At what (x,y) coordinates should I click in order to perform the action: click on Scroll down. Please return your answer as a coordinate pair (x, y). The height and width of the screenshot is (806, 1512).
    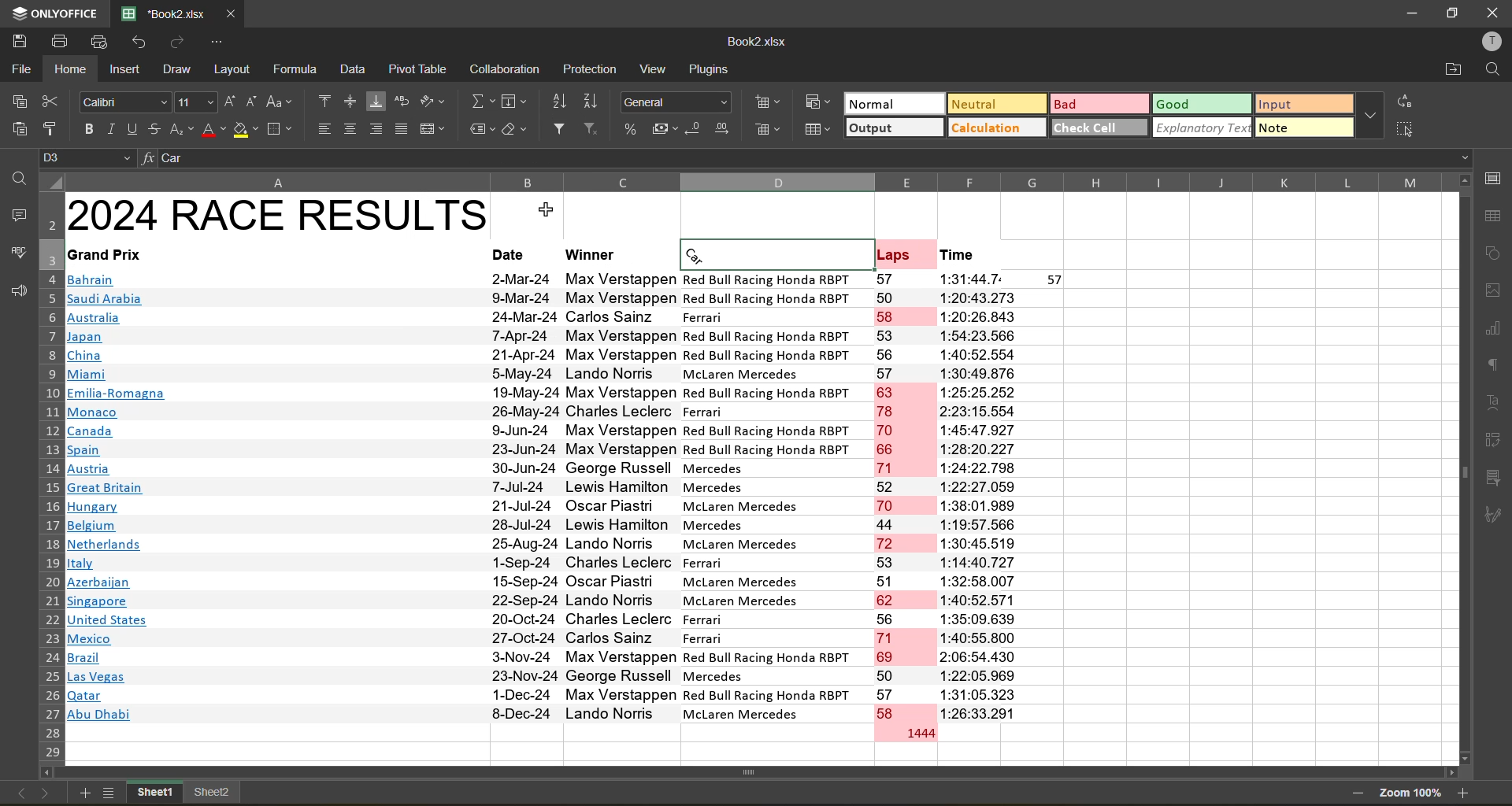
    Looking at the image, I should click on (1463, 759).